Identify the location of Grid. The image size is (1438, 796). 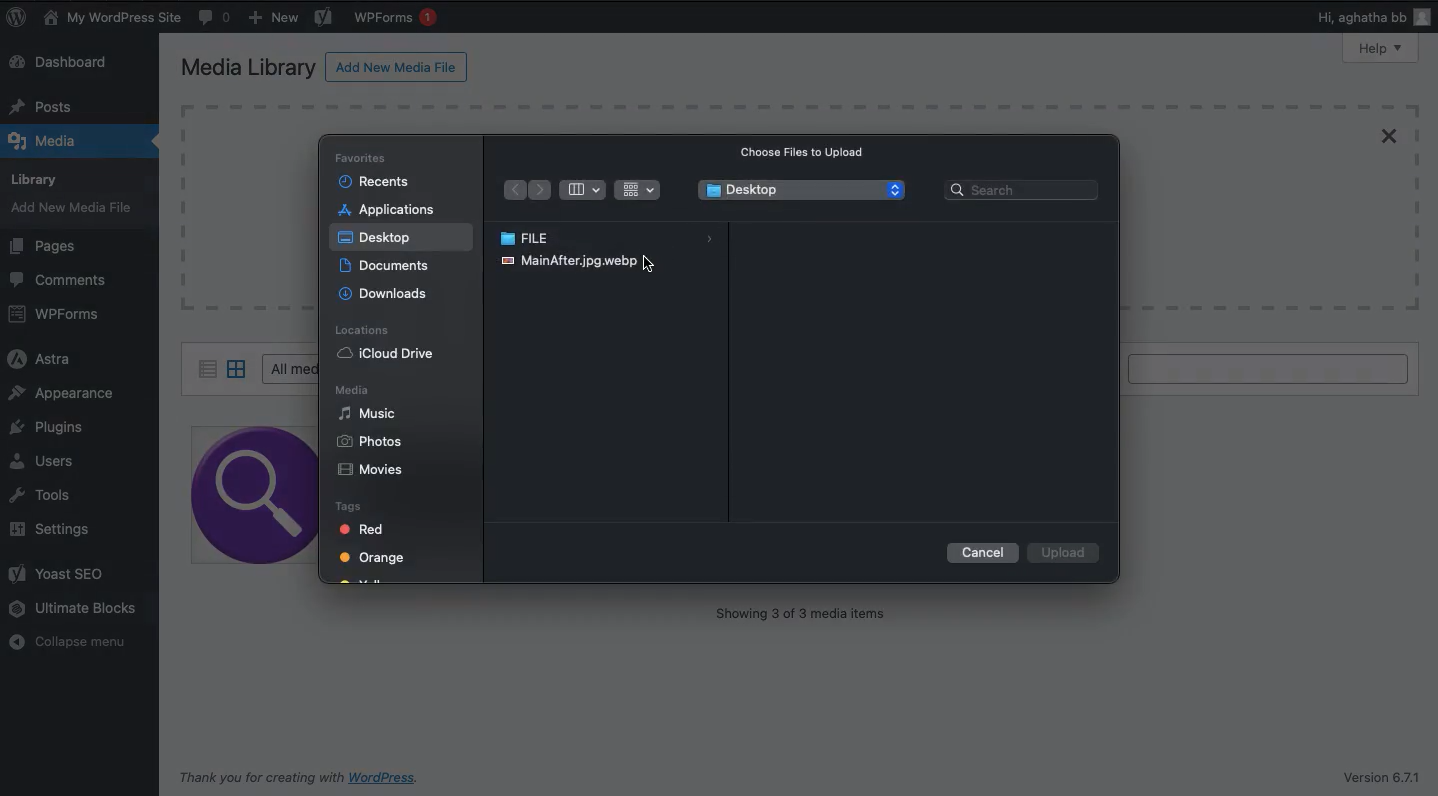
(636, 192).